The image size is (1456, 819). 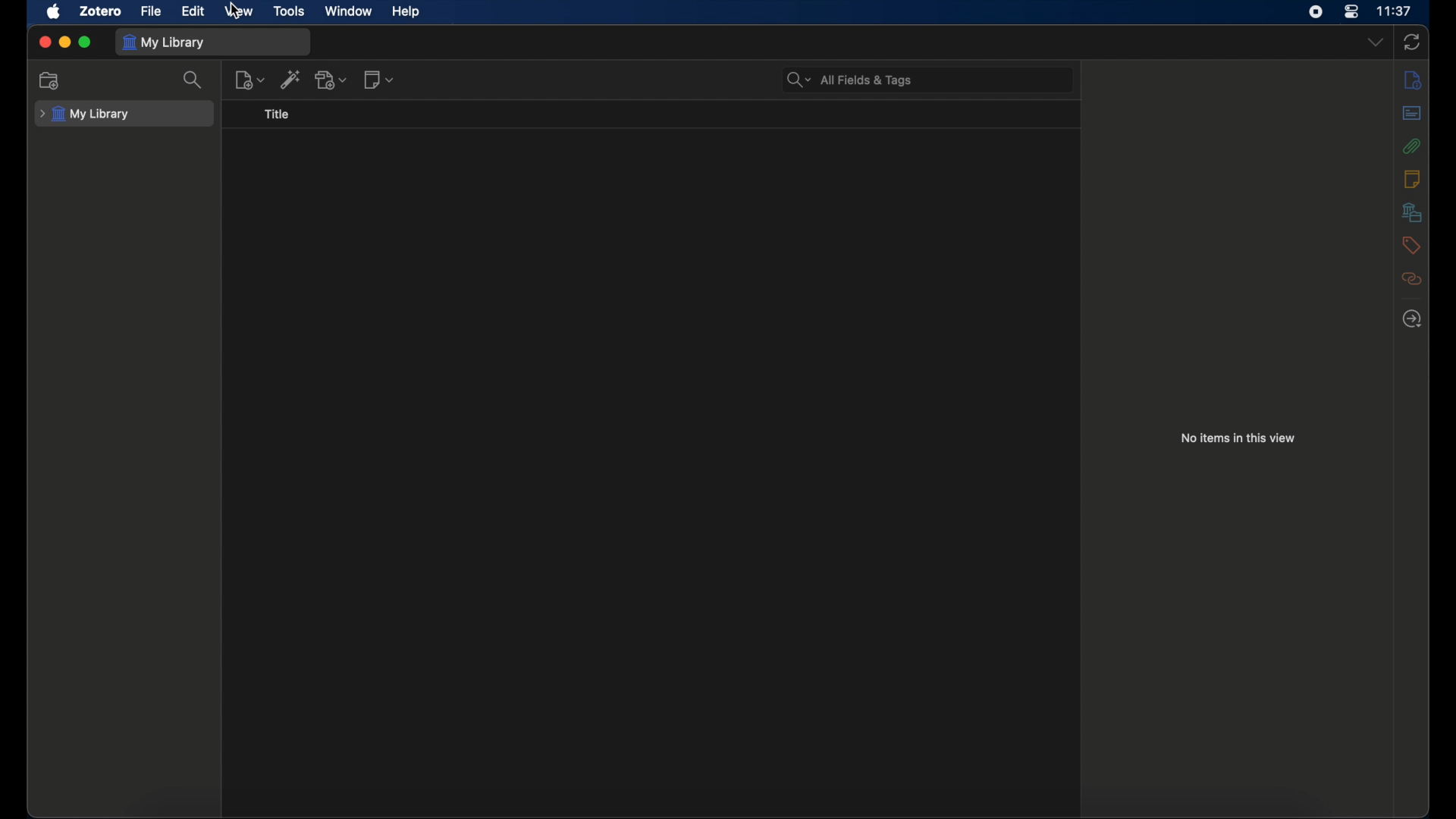 I want to click on my library, so click(x=164, y=42).